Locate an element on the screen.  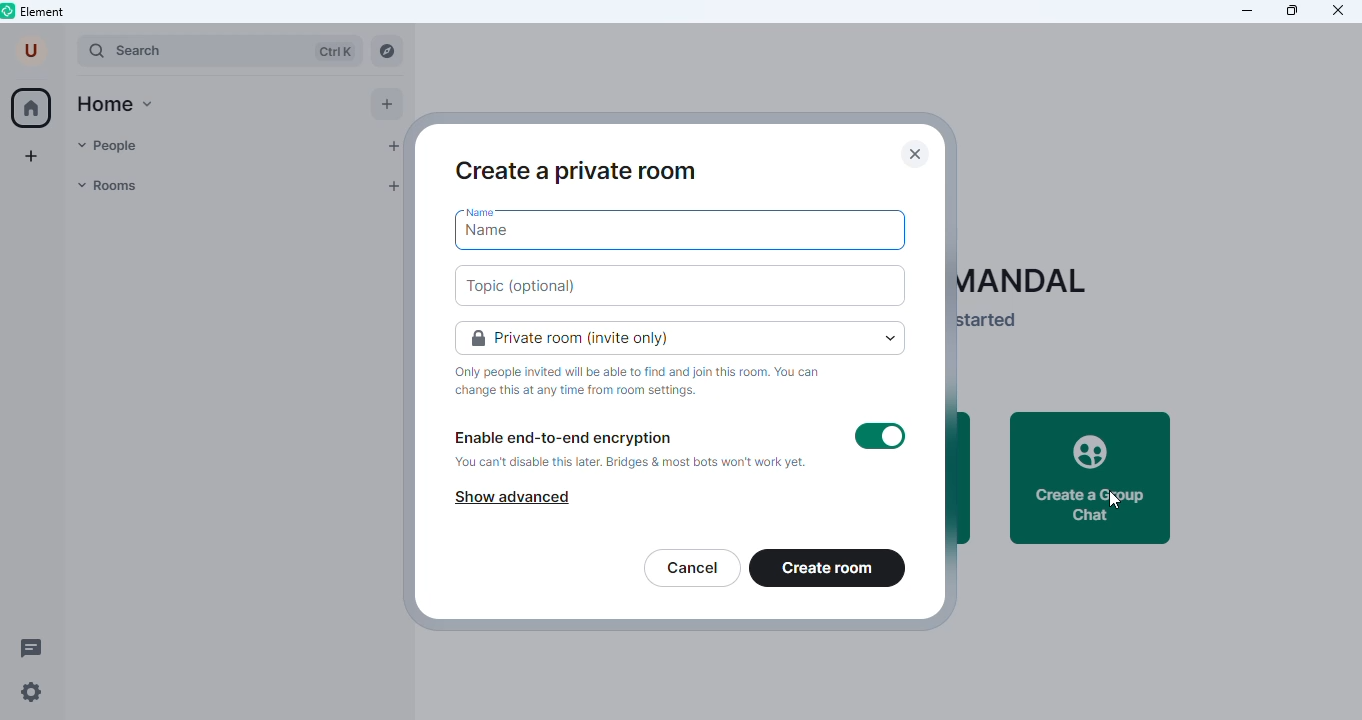
settings is located at coordinates (31, 693).